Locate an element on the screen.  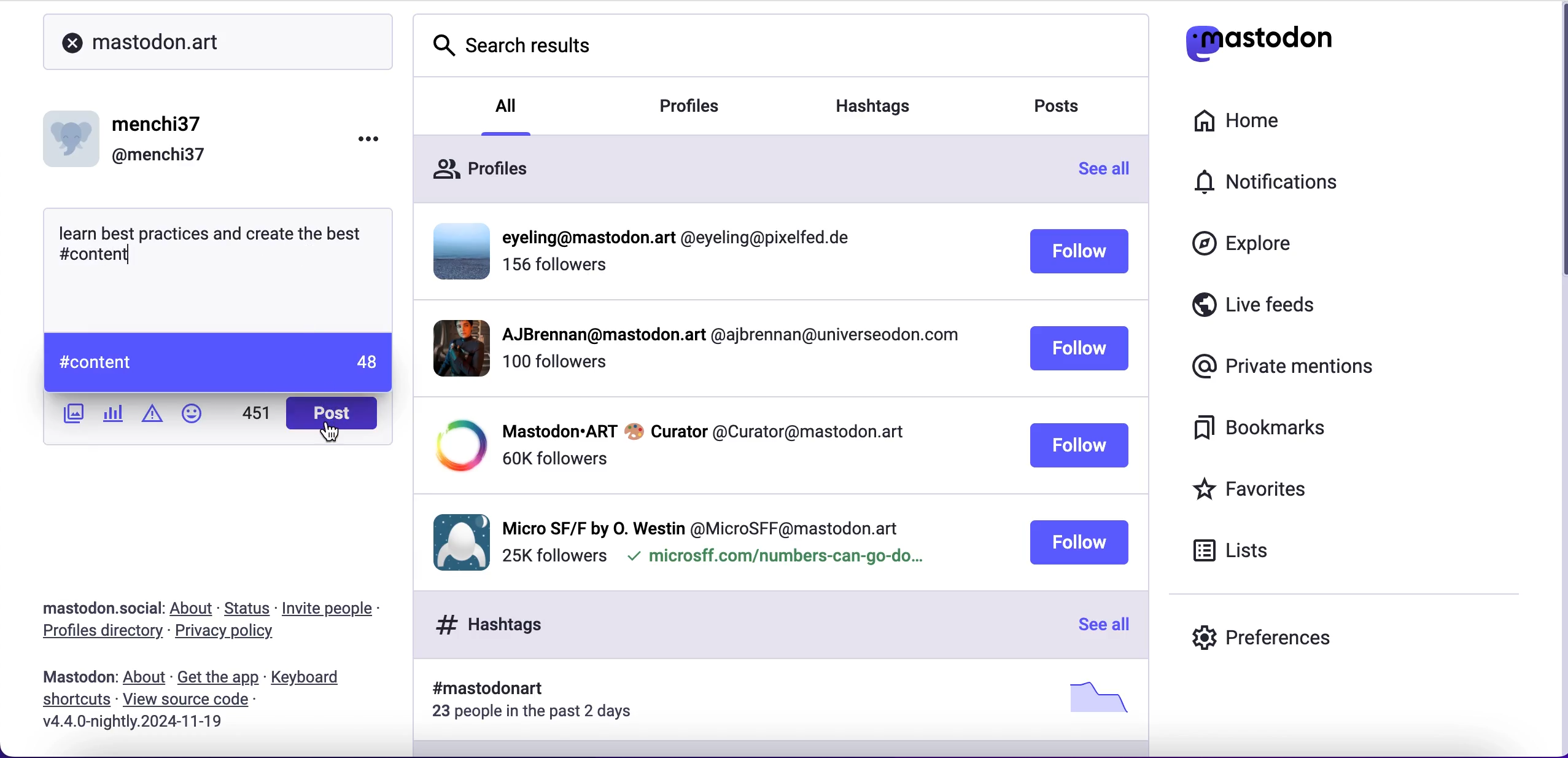
about is located at coordinates (194, 609).